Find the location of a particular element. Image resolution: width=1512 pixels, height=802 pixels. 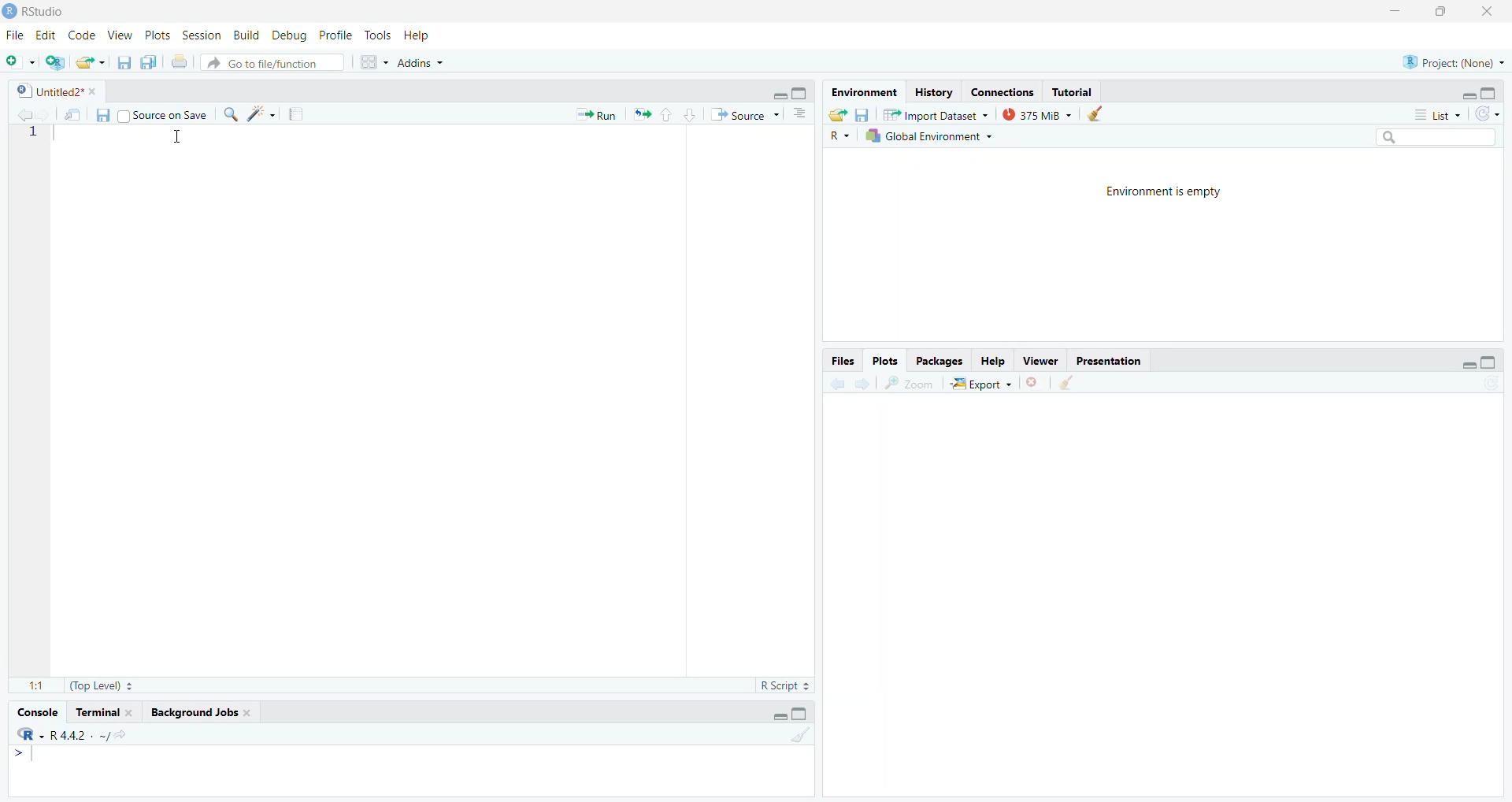

show document outline is located at coordinates (805, 114).